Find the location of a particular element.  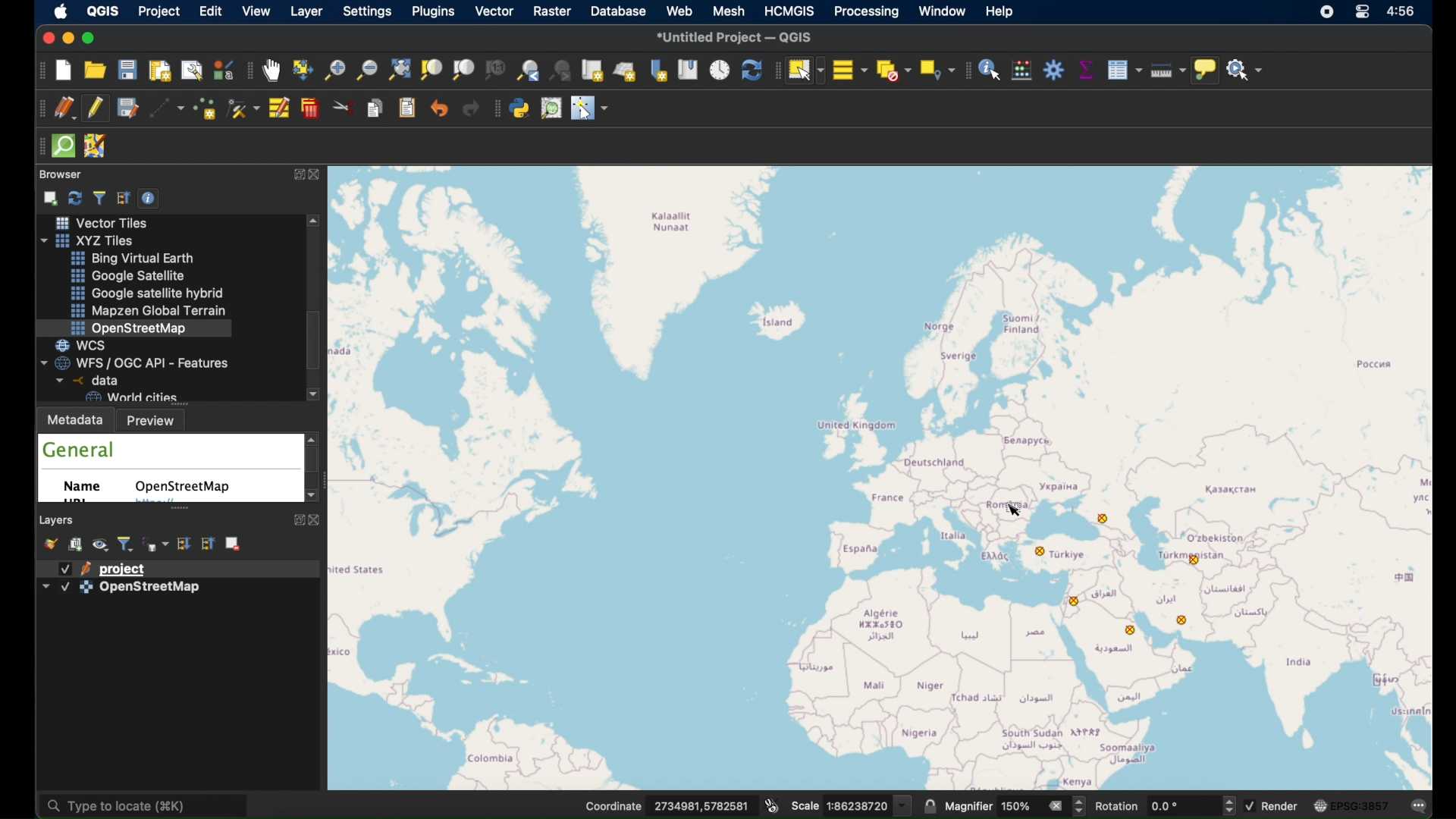

temporal controller panel is located at coordinates (720, 69).